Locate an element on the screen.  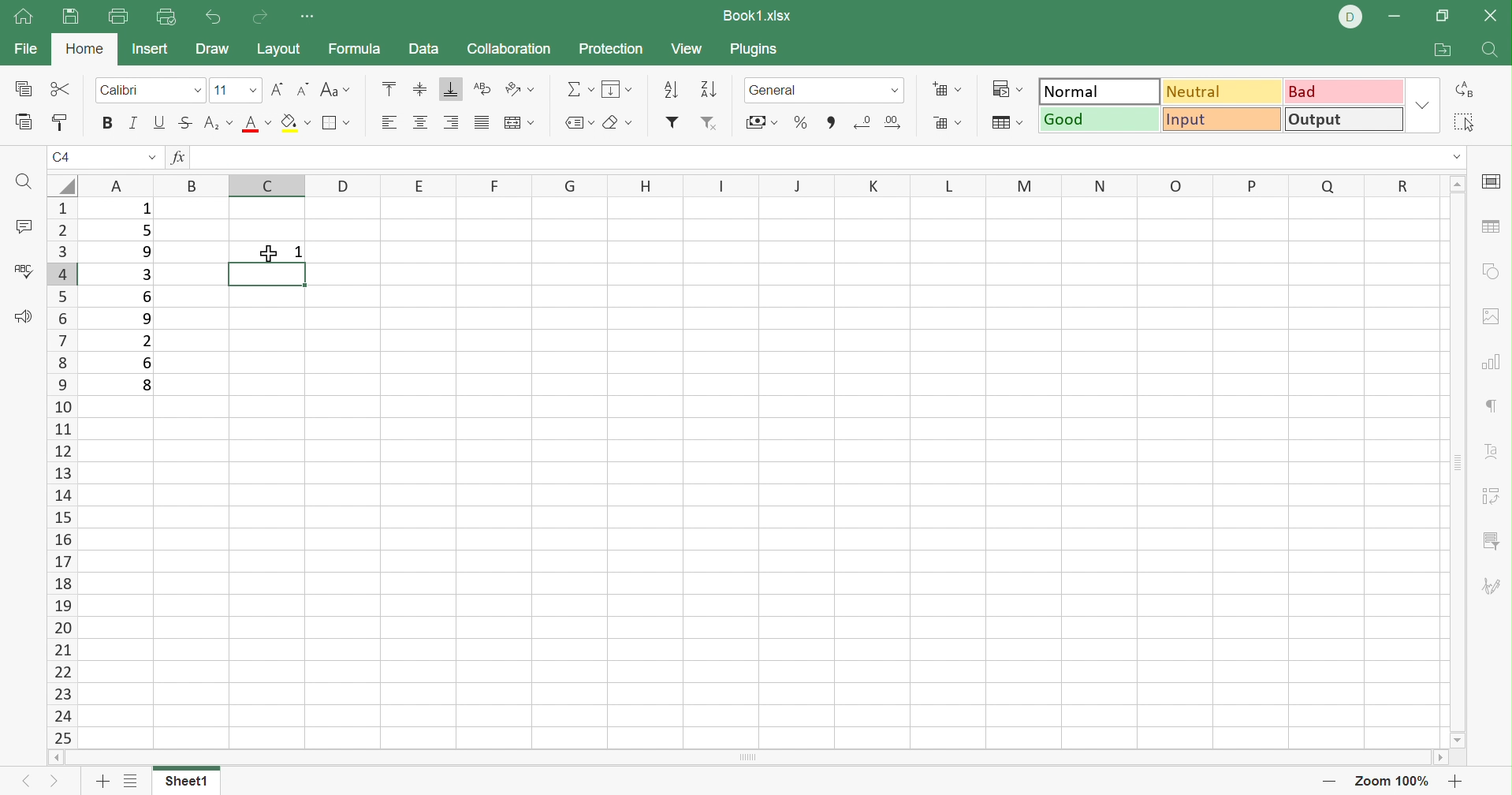
Scroll Bar is located at coordinates (1462, 461).